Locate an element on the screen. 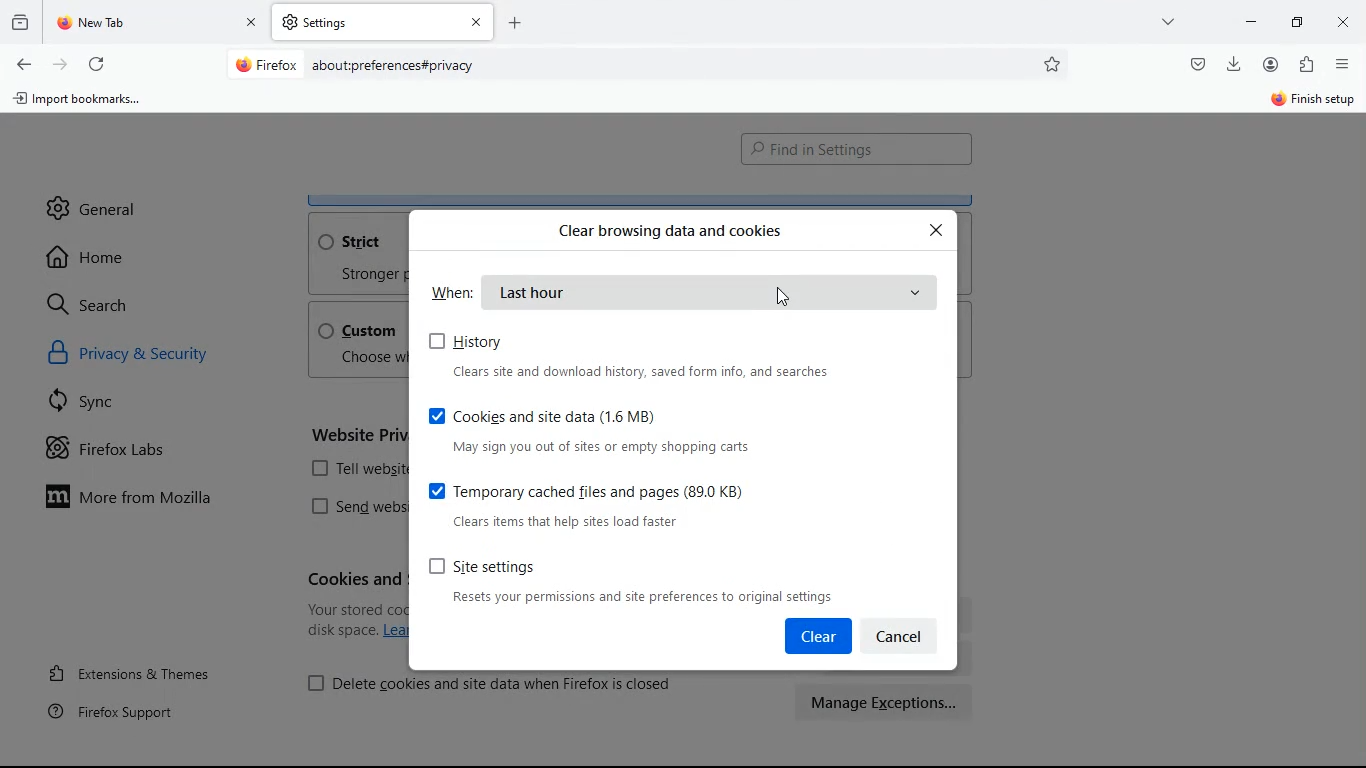  site settings is located at coordinates (641, 580).